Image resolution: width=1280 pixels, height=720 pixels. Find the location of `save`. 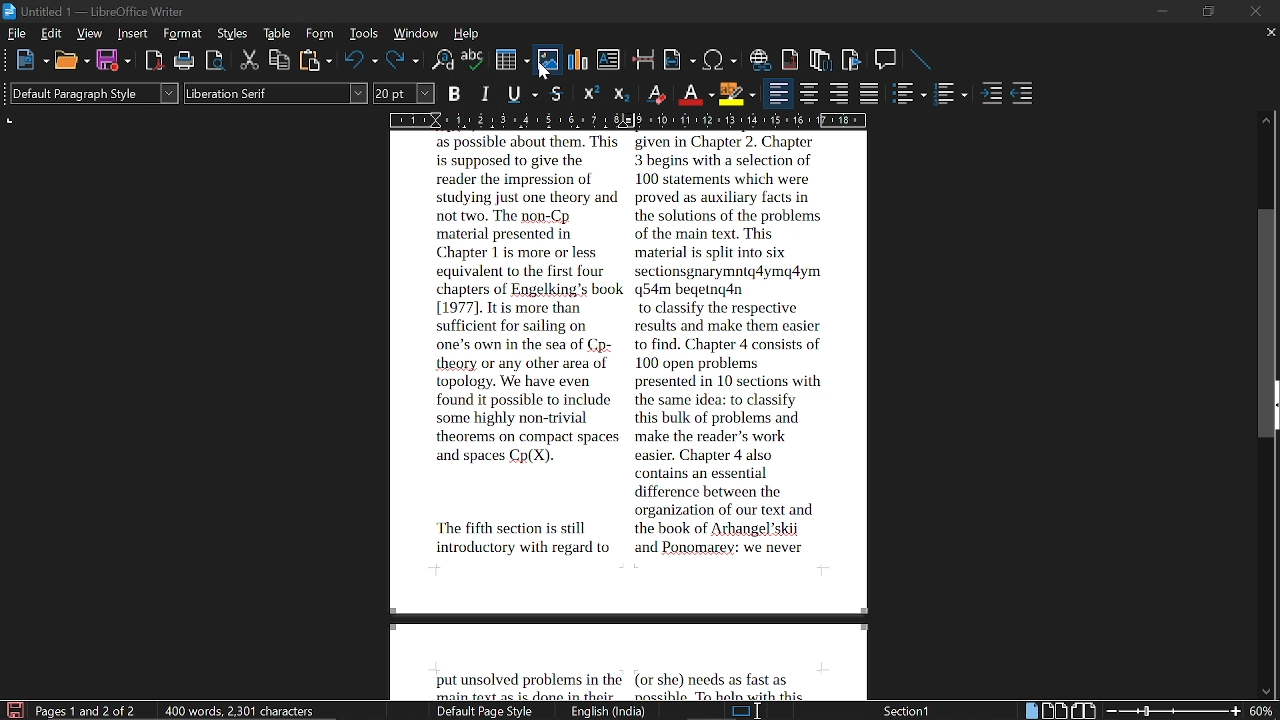

save is located at coordinates (13, 710).